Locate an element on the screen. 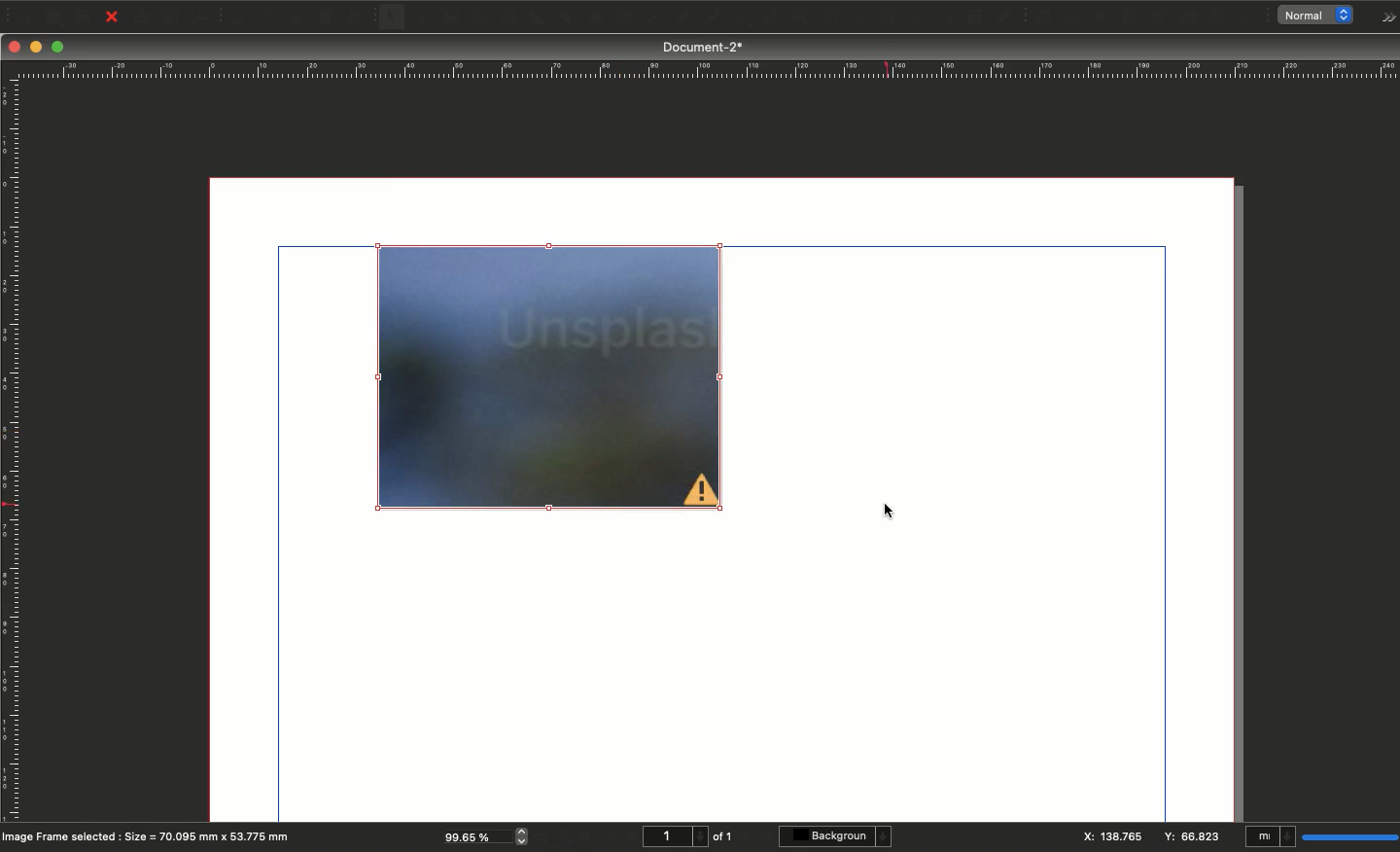  Table is located at coordinates (507, 18).